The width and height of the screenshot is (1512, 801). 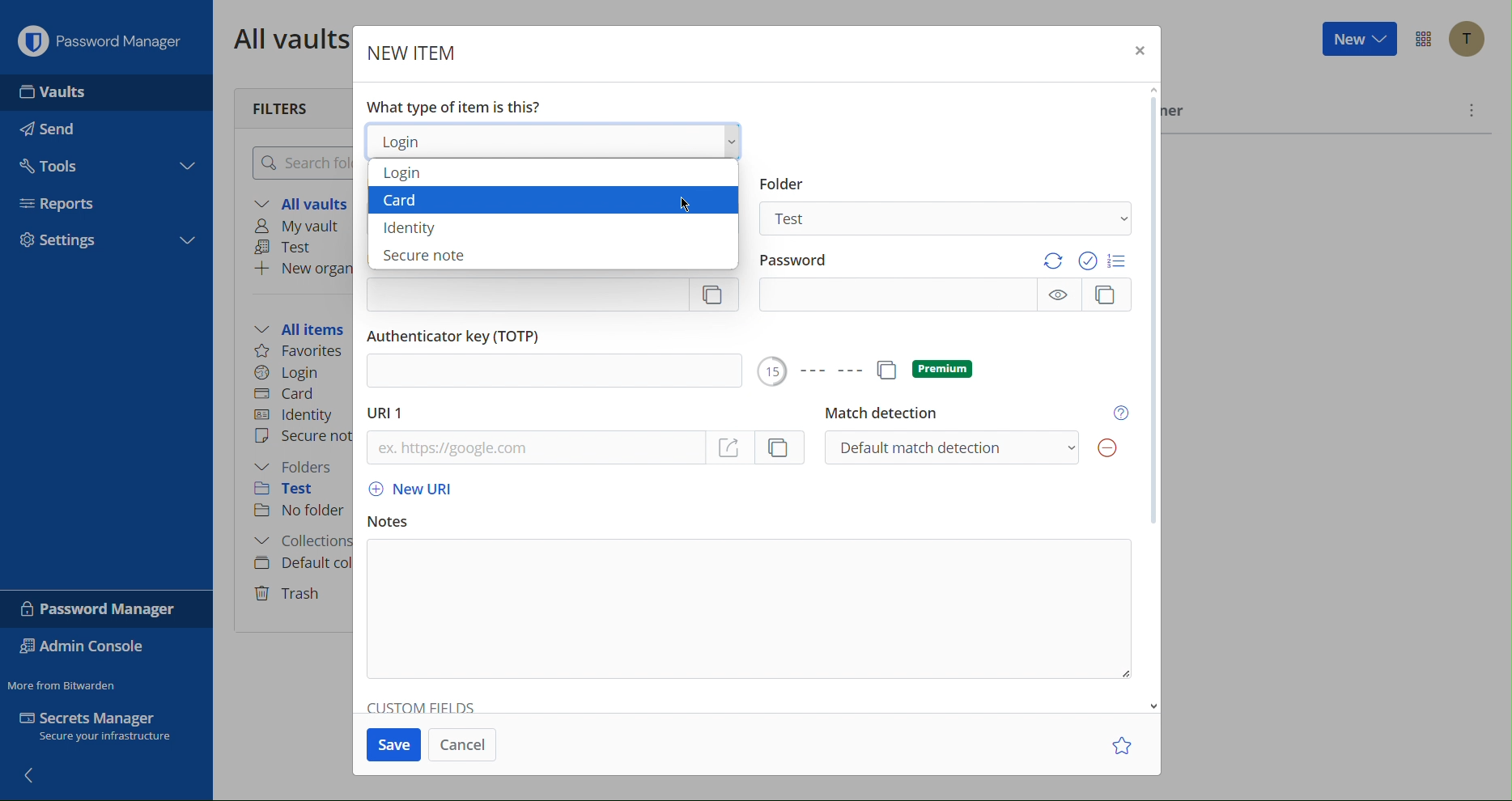 What do you see at coordinates (304, 538) in the screenshot?
I see `Collections` at bounding box center [304, 538].